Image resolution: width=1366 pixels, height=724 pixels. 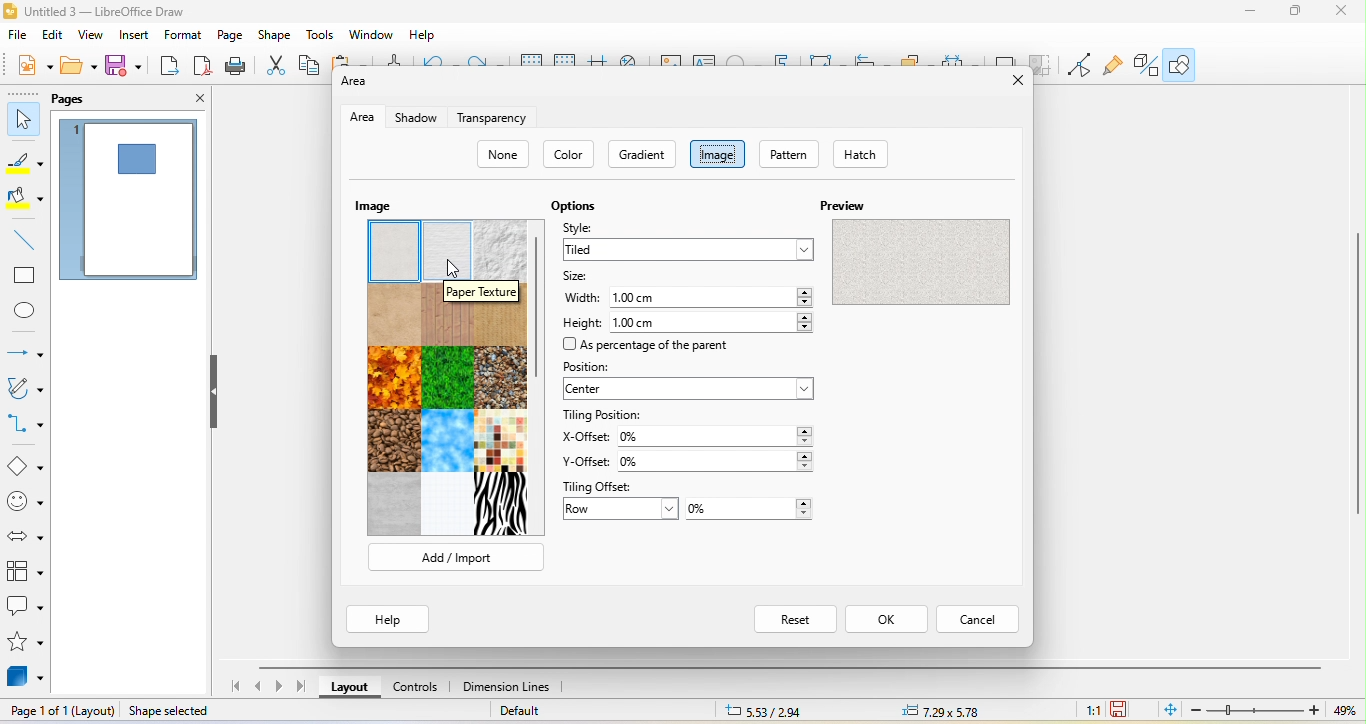 What do you see at coordinates (24, 164) in the screenshot?
I see `line color` at bounding box center [24, 164].